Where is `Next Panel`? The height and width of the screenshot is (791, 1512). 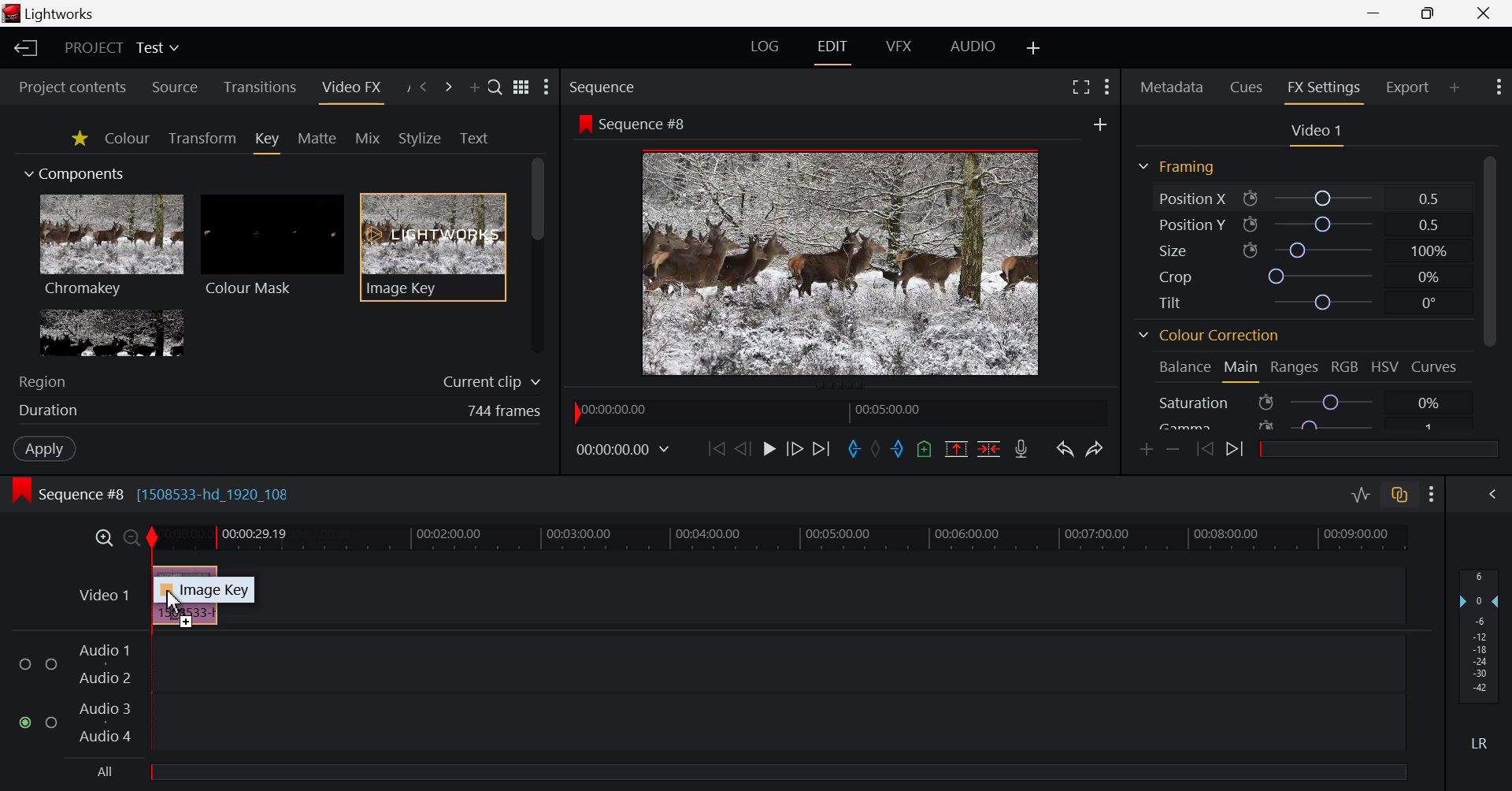
Next Panel is located at coordinates (448, 87).